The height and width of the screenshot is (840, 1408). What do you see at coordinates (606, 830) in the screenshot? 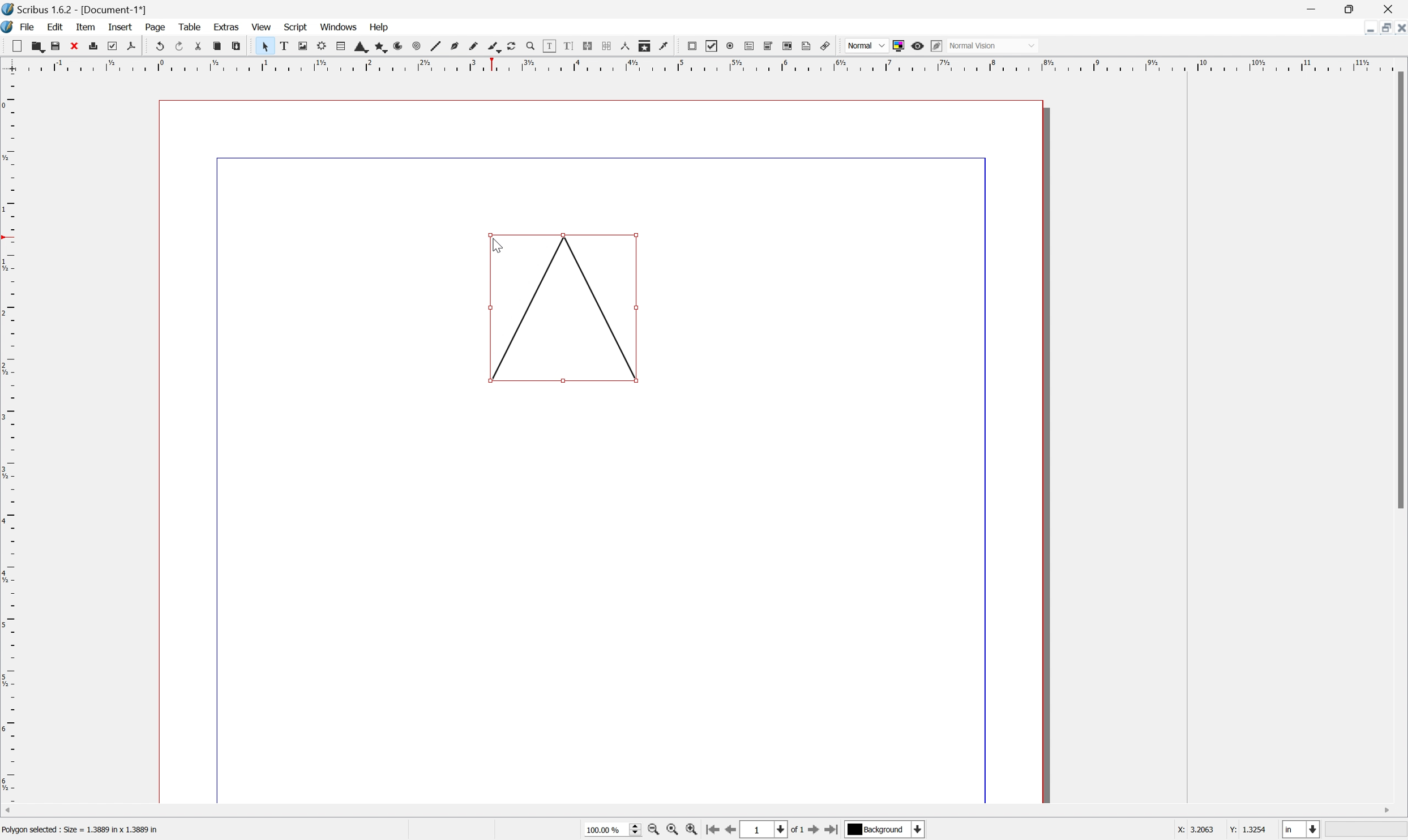
I see `100.00 %` at bounding box center [606, 830].